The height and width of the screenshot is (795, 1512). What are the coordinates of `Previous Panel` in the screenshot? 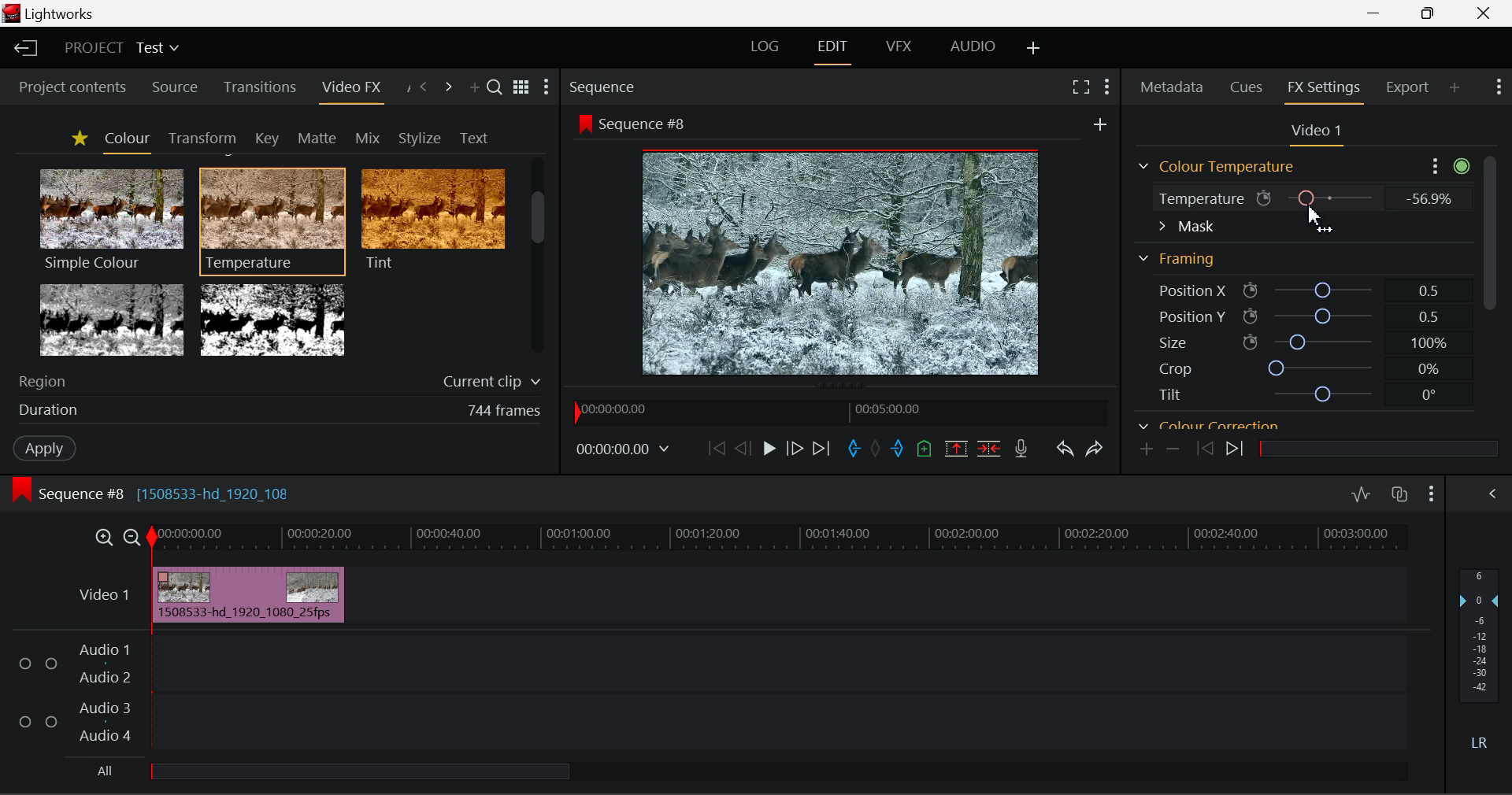 It's located at (425, 89).